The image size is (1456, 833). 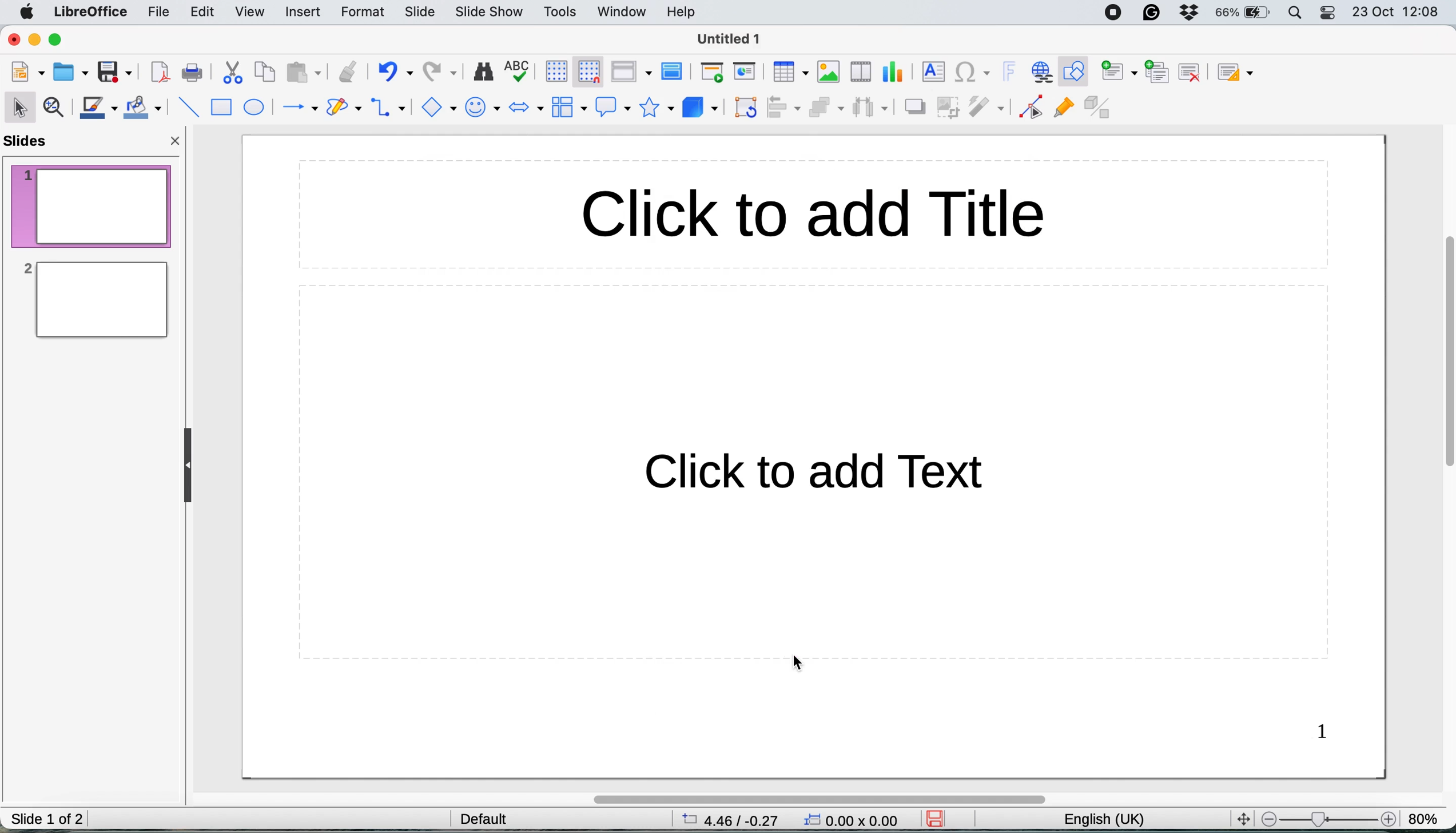 I want to click on cursor, so click(x=794, y=663).